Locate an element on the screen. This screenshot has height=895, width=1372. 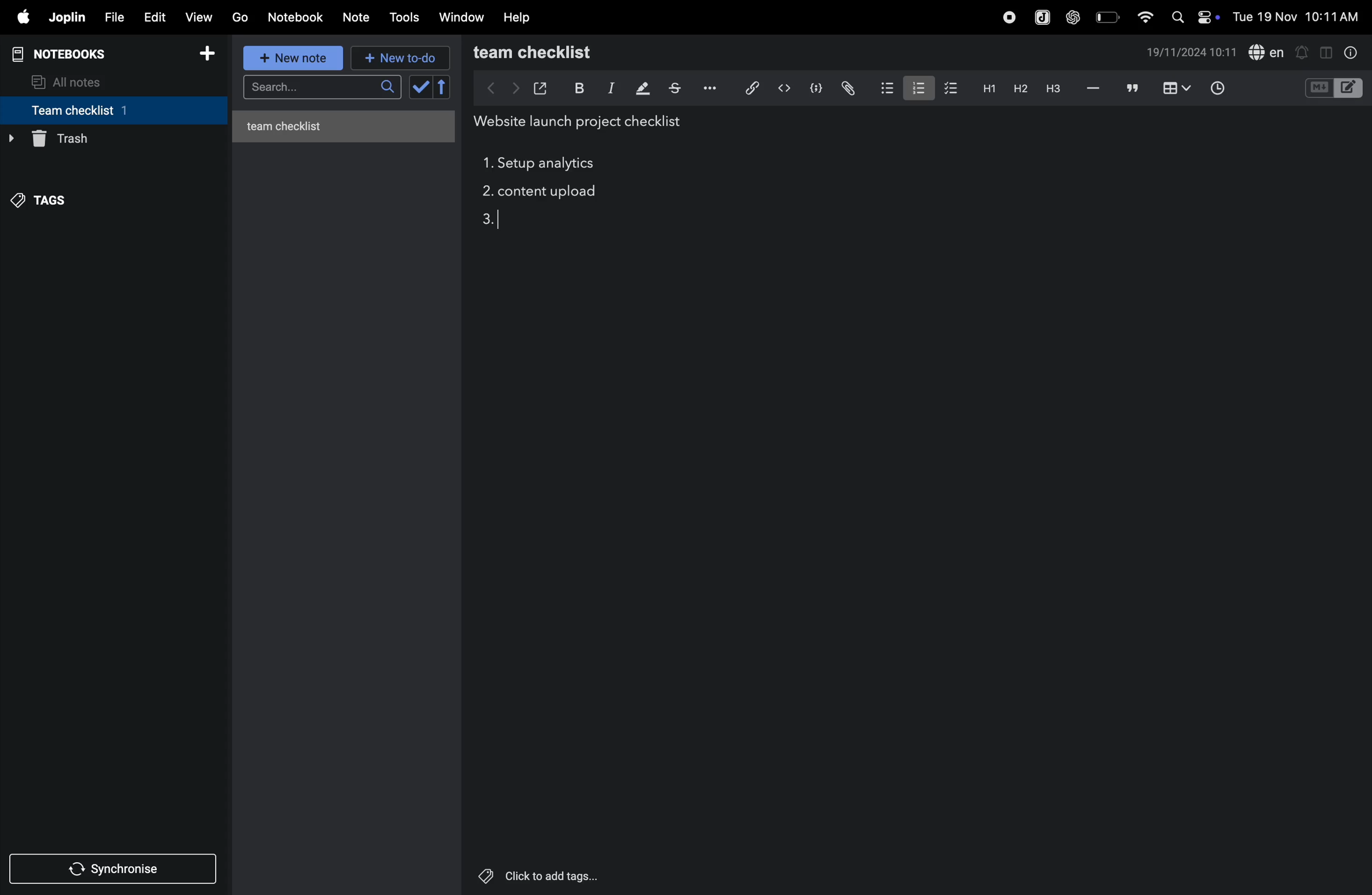
spell check is located at coordinates (1268, 52).